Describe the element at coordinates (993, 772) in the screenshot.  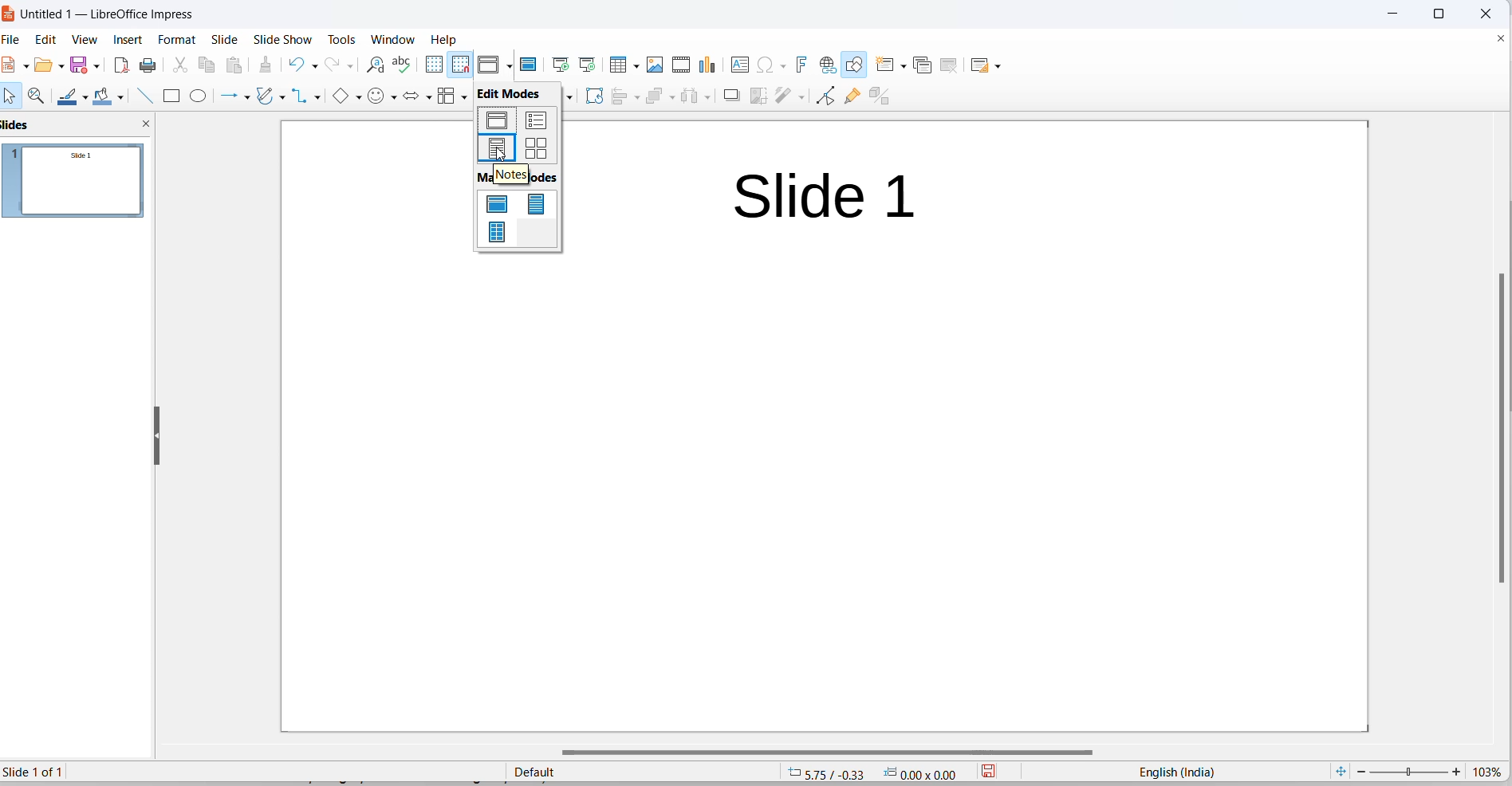
I see `save` at that location.